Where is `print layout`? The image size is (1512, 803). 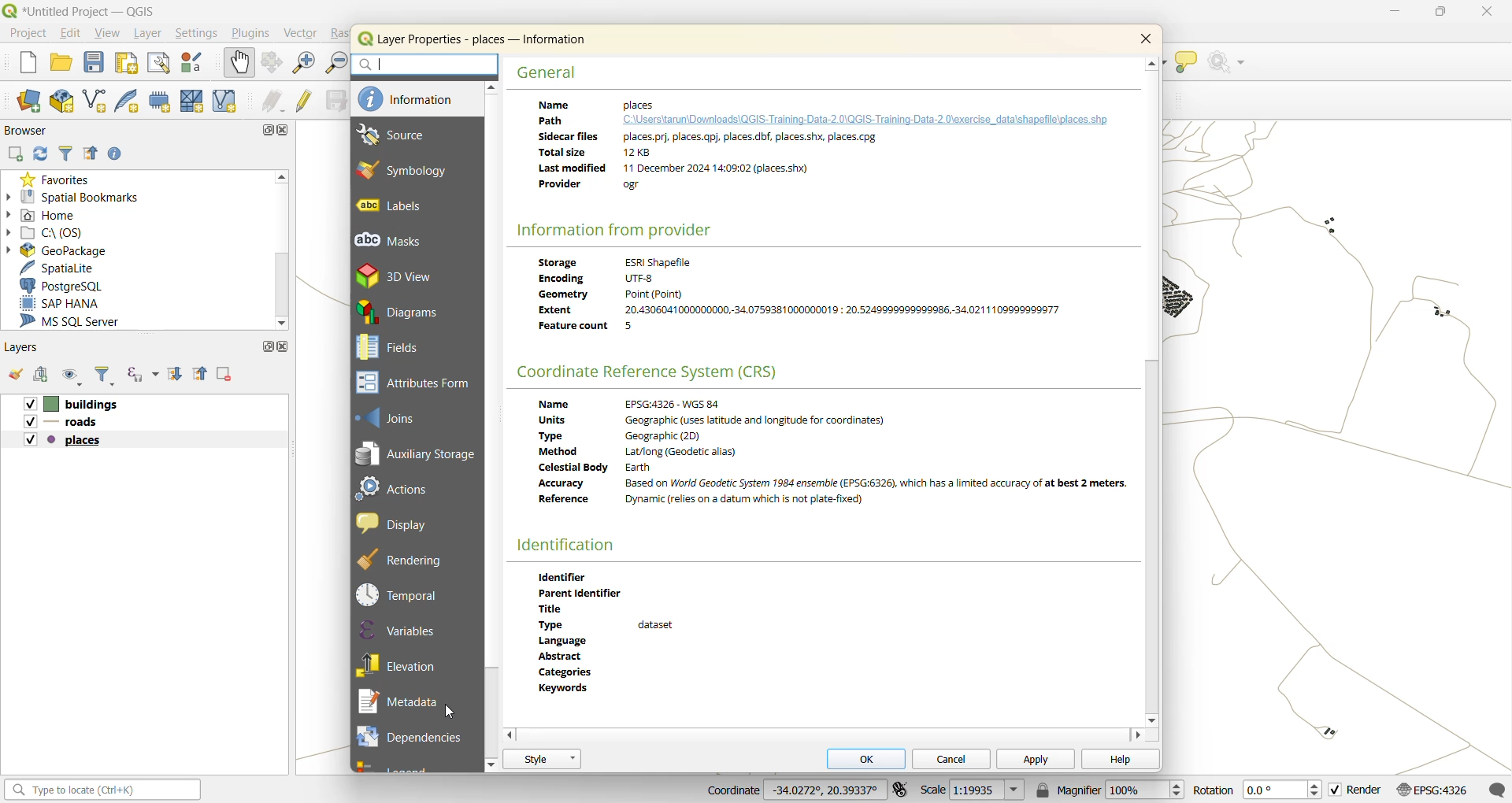
print layout is located at coordinates (130, 62).